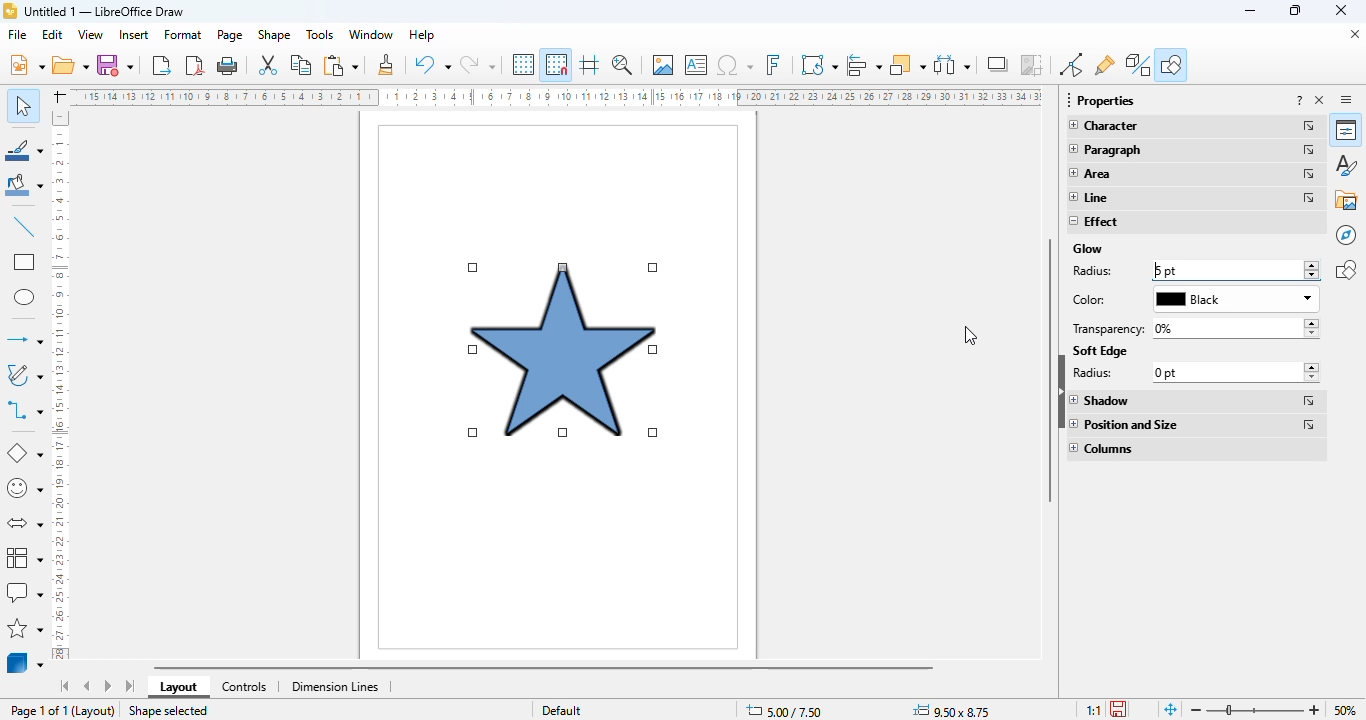 The width and height of the screenshot is (1366, 720). What do you see at coordinates (25, 489) in the screenshot?
I see `symbol shapes` at bounding box center [25, 489].